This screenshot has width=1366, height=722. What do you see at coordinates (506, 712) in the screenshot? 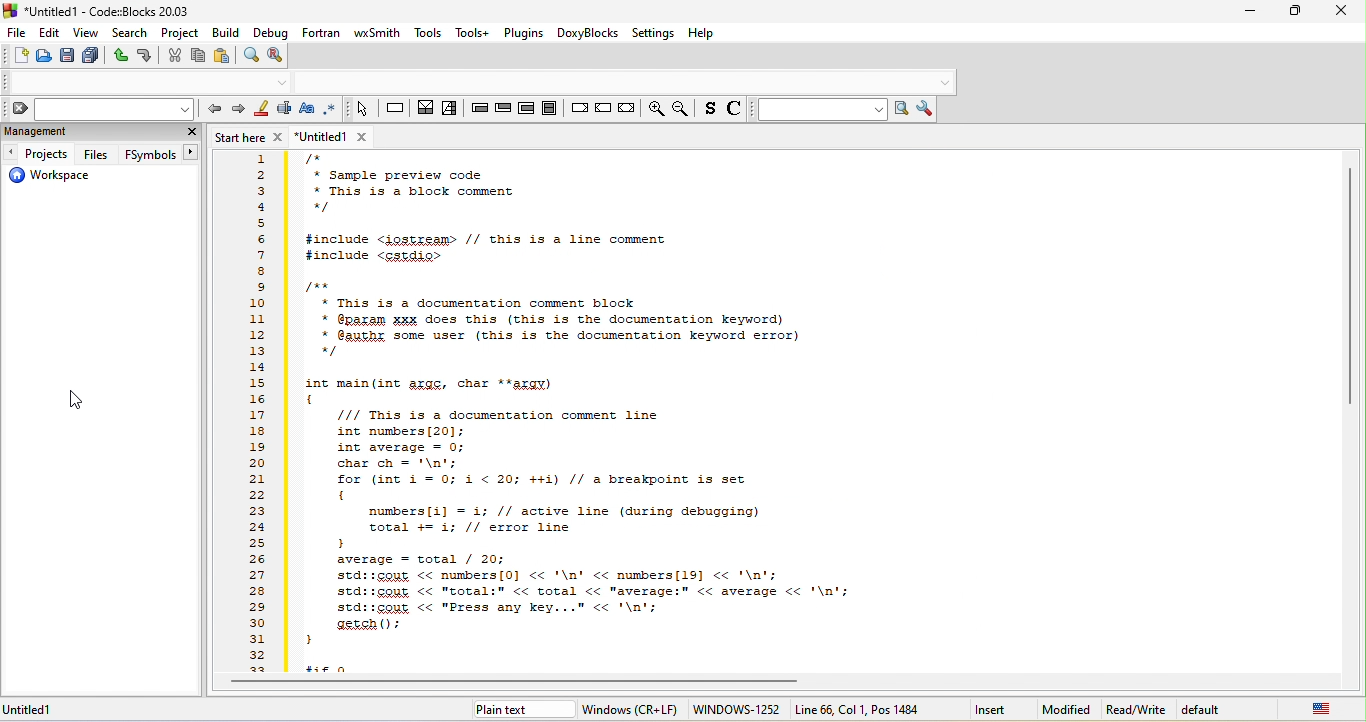
I see `plain text` at bounding box center [506, 712].